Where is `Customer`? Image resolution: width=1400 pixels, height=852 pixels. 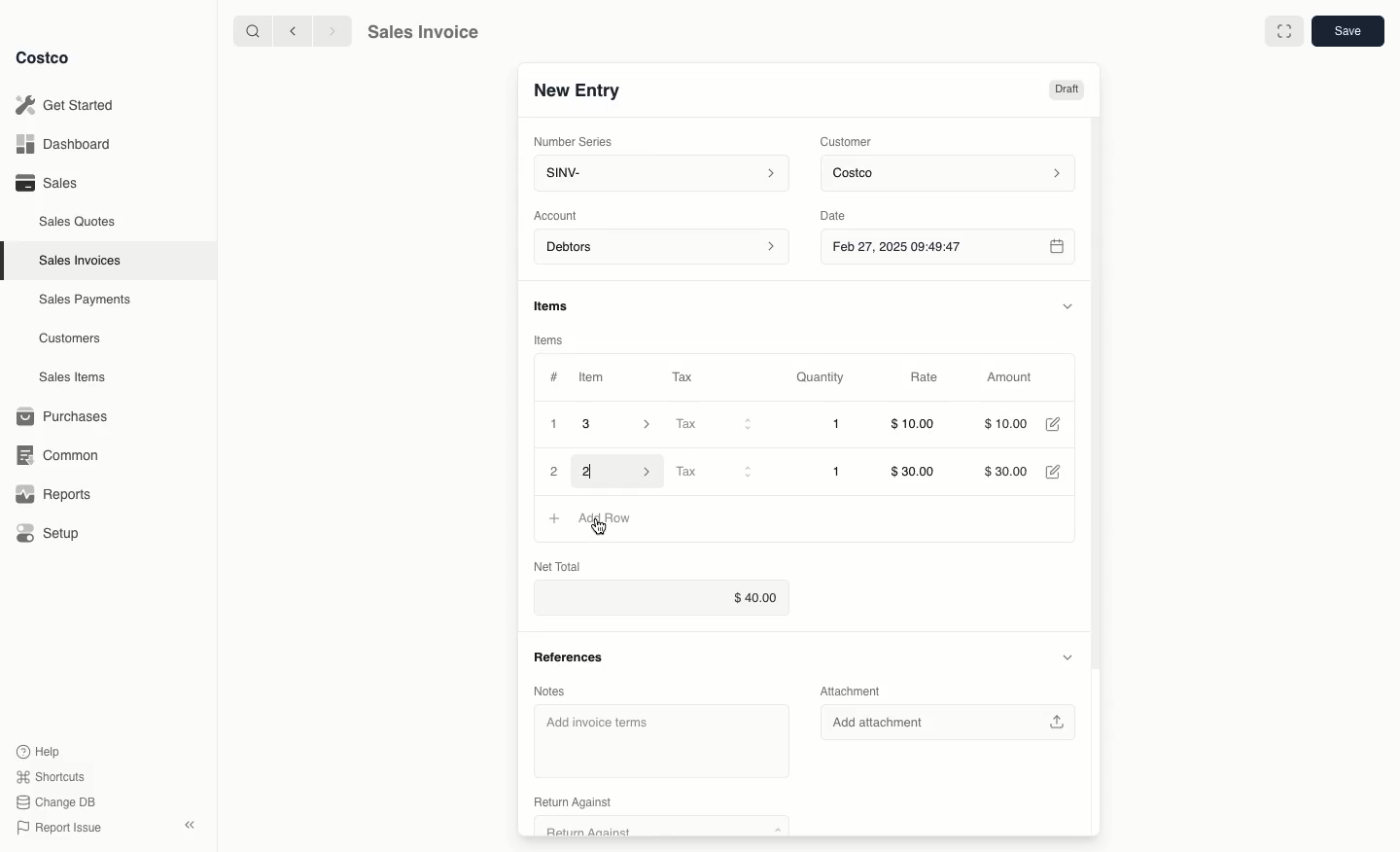
Customer is located at coordinates (847, 140).